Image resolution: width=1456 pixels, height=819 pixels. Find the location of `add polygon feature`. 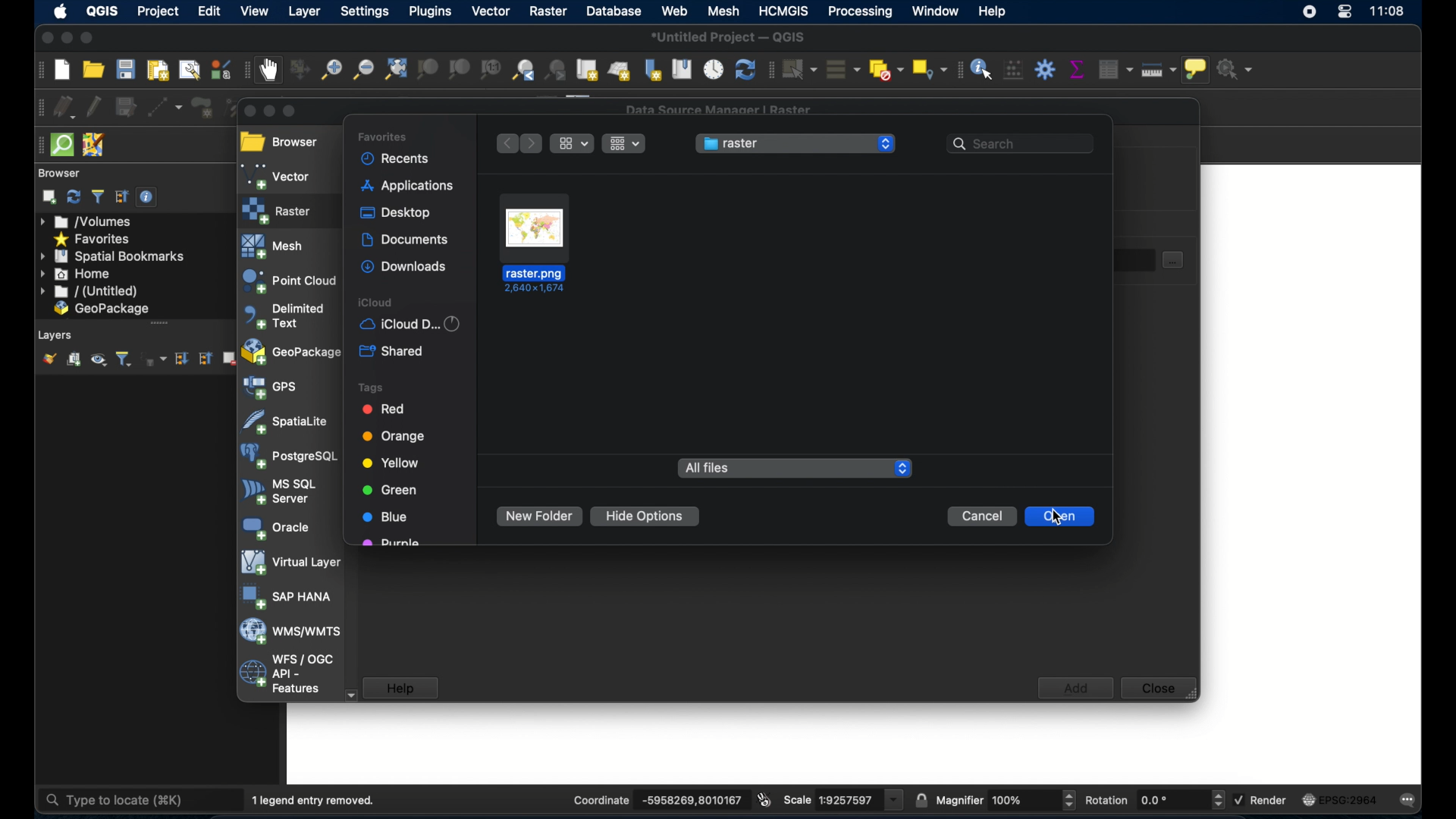

add polygon feature is located at coordinates (202, 108).